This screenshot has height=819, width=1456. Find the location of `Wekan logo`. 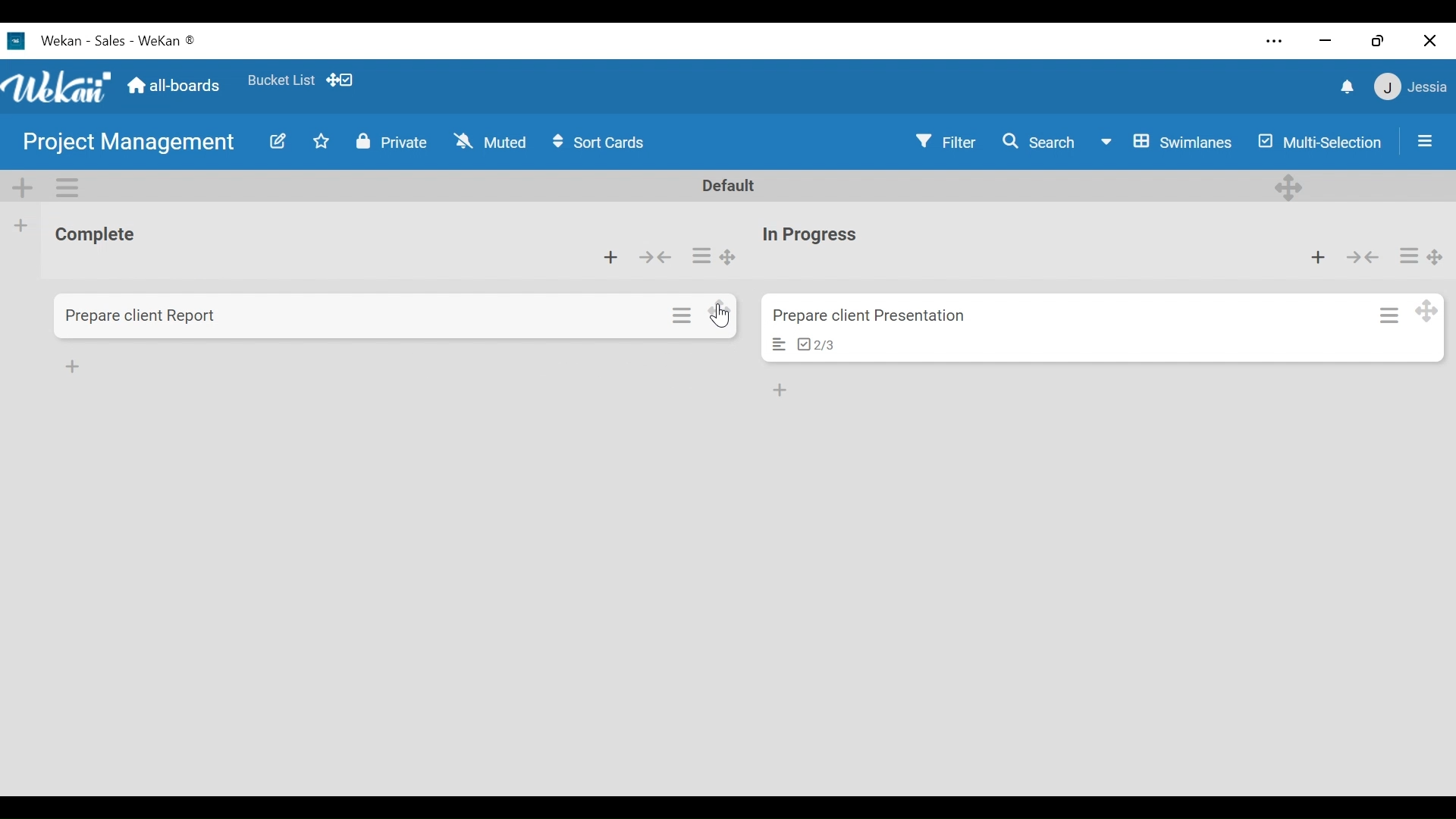

Wekan logo is located at coordinates (59, 88).